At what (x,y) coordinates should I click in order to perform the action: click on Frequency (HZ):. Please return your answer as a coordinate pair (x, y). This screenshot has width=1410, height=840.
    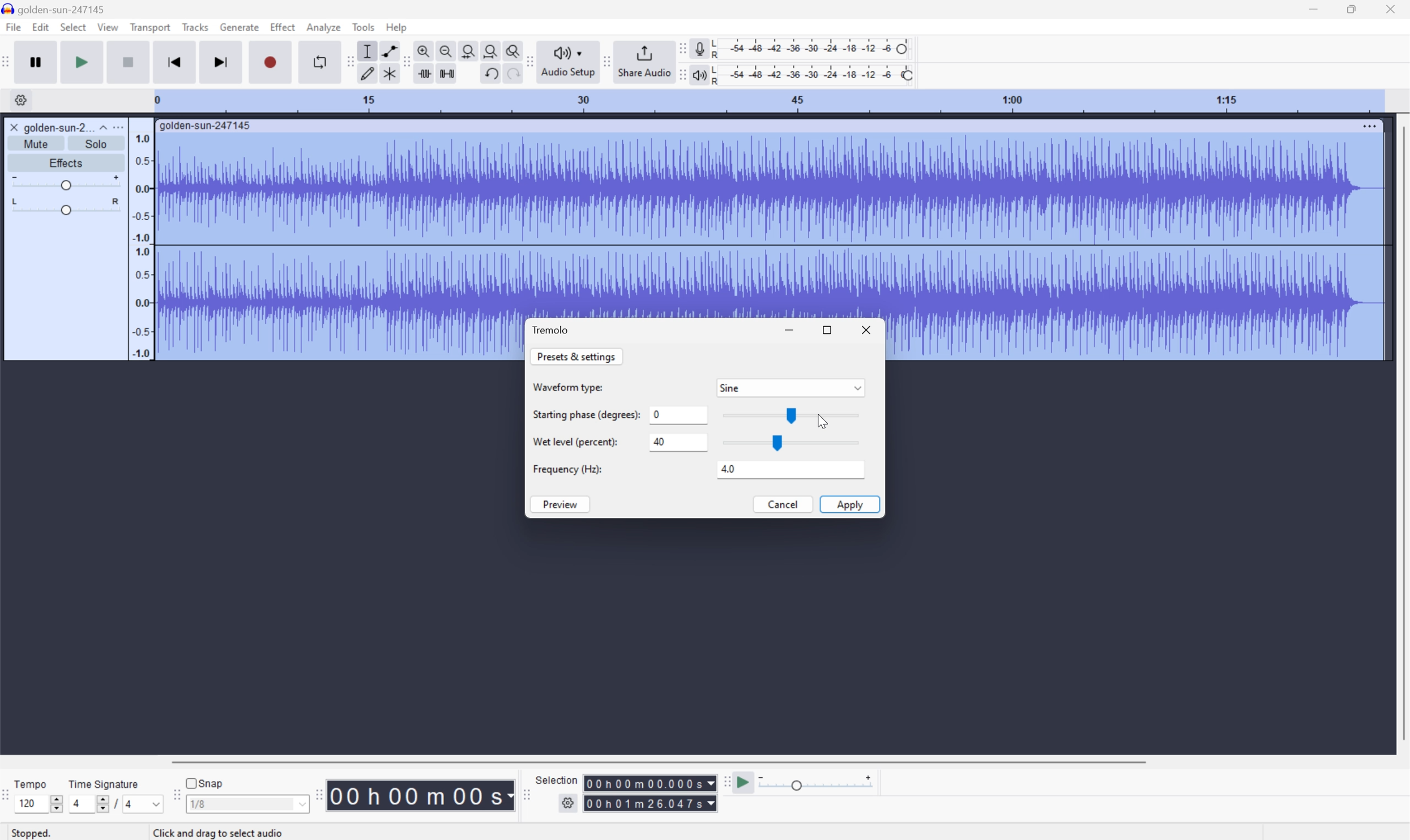
    Looking at the image, I should click on (569, 469).